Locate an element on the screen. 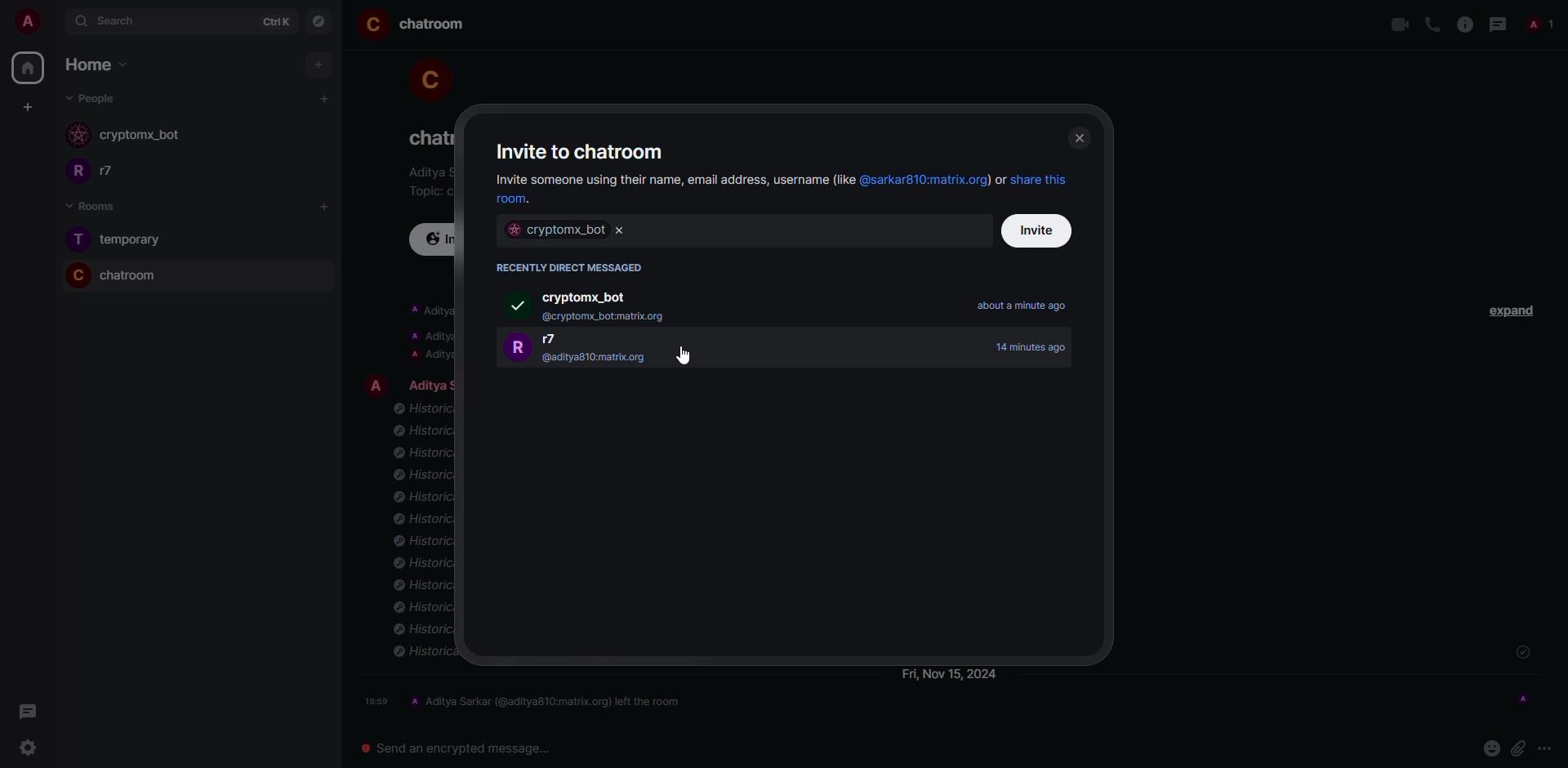 Image resolution: width=1568 pixels, height=768 pixels. invite is located at coordinates (1040, 230).